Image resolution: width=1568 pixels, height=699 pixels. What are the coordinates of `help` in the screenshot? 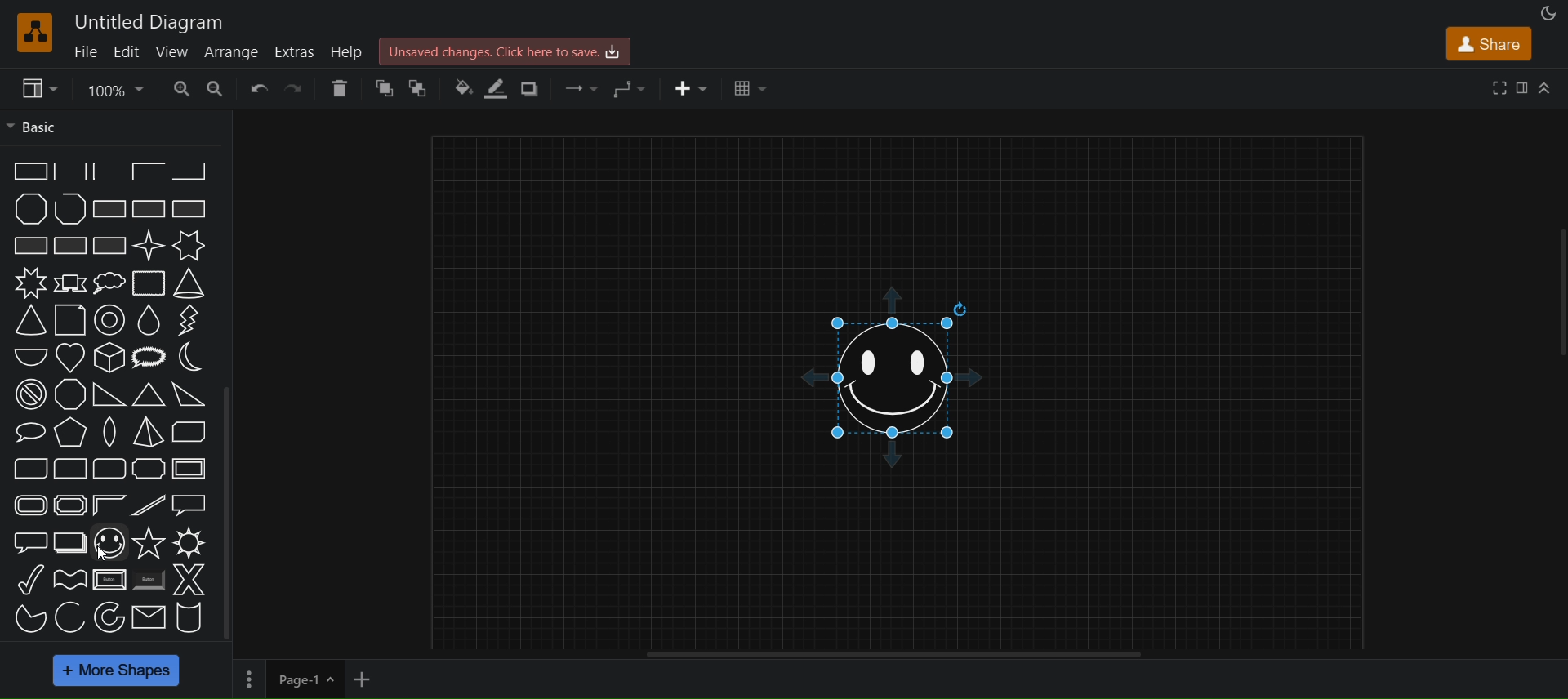 It's located at (350, 51).